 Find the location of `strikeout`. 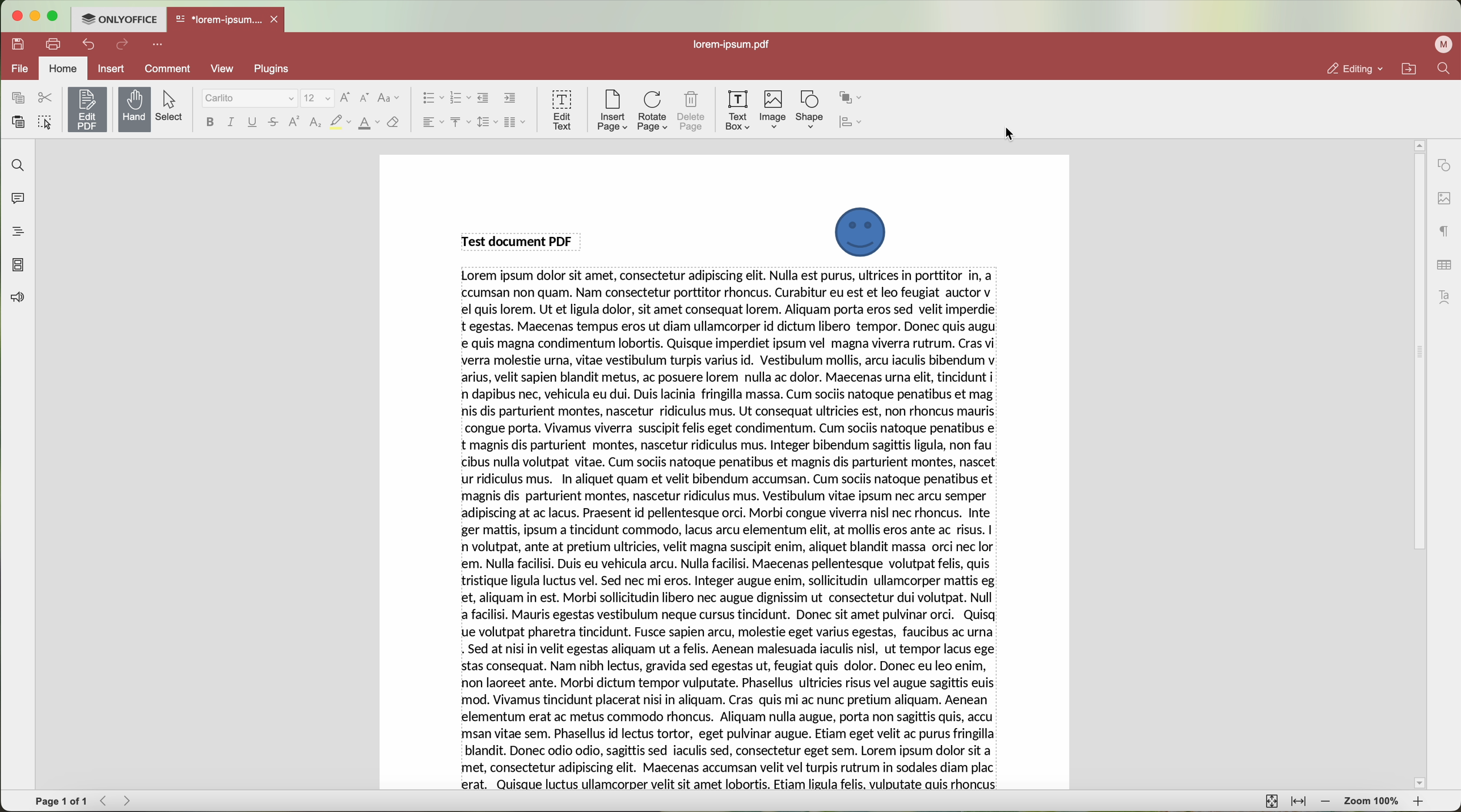

strikeout is located at coordinates (340, 122).